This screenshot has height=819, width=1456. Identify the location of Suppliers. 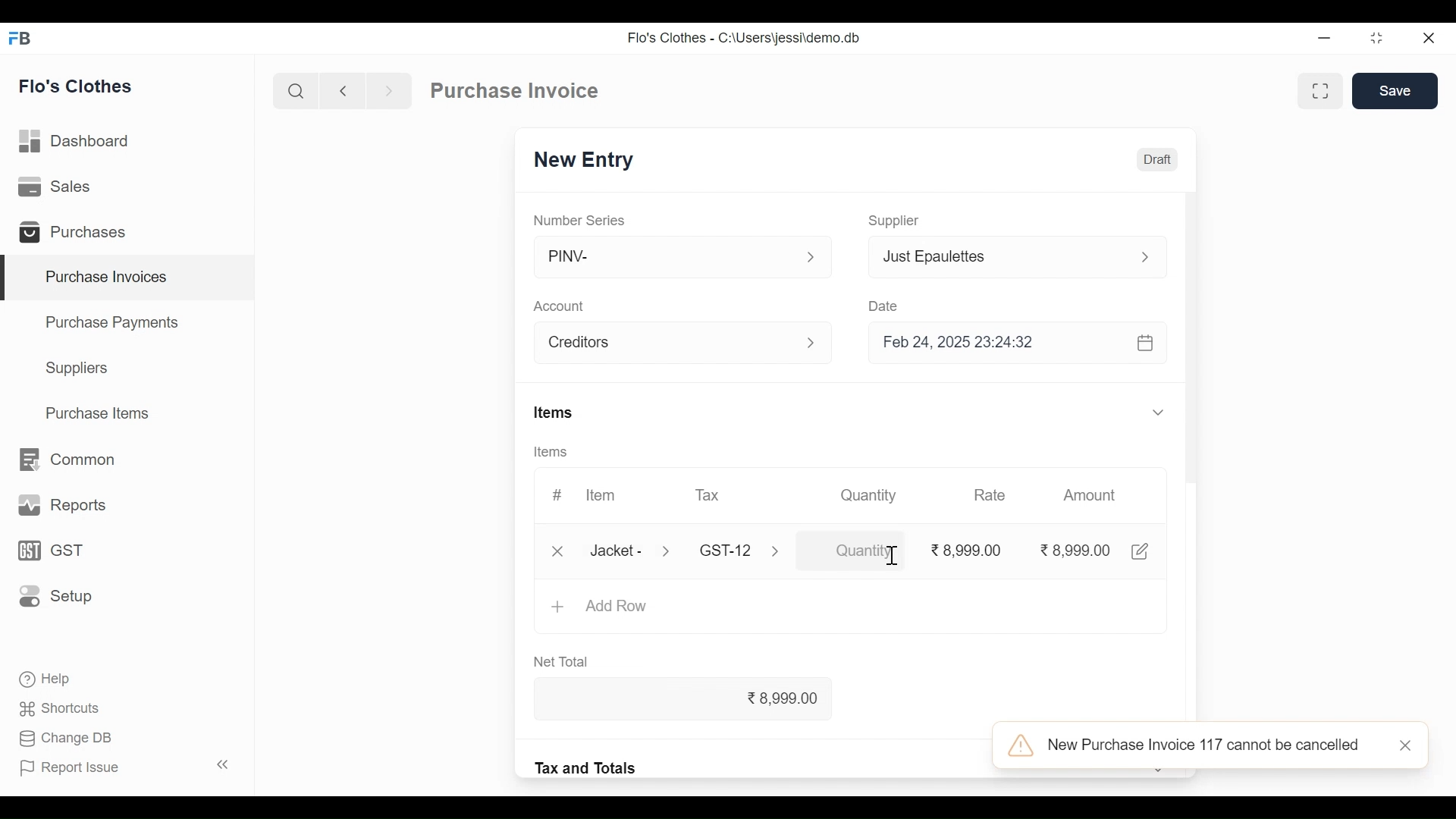
(80, 370).